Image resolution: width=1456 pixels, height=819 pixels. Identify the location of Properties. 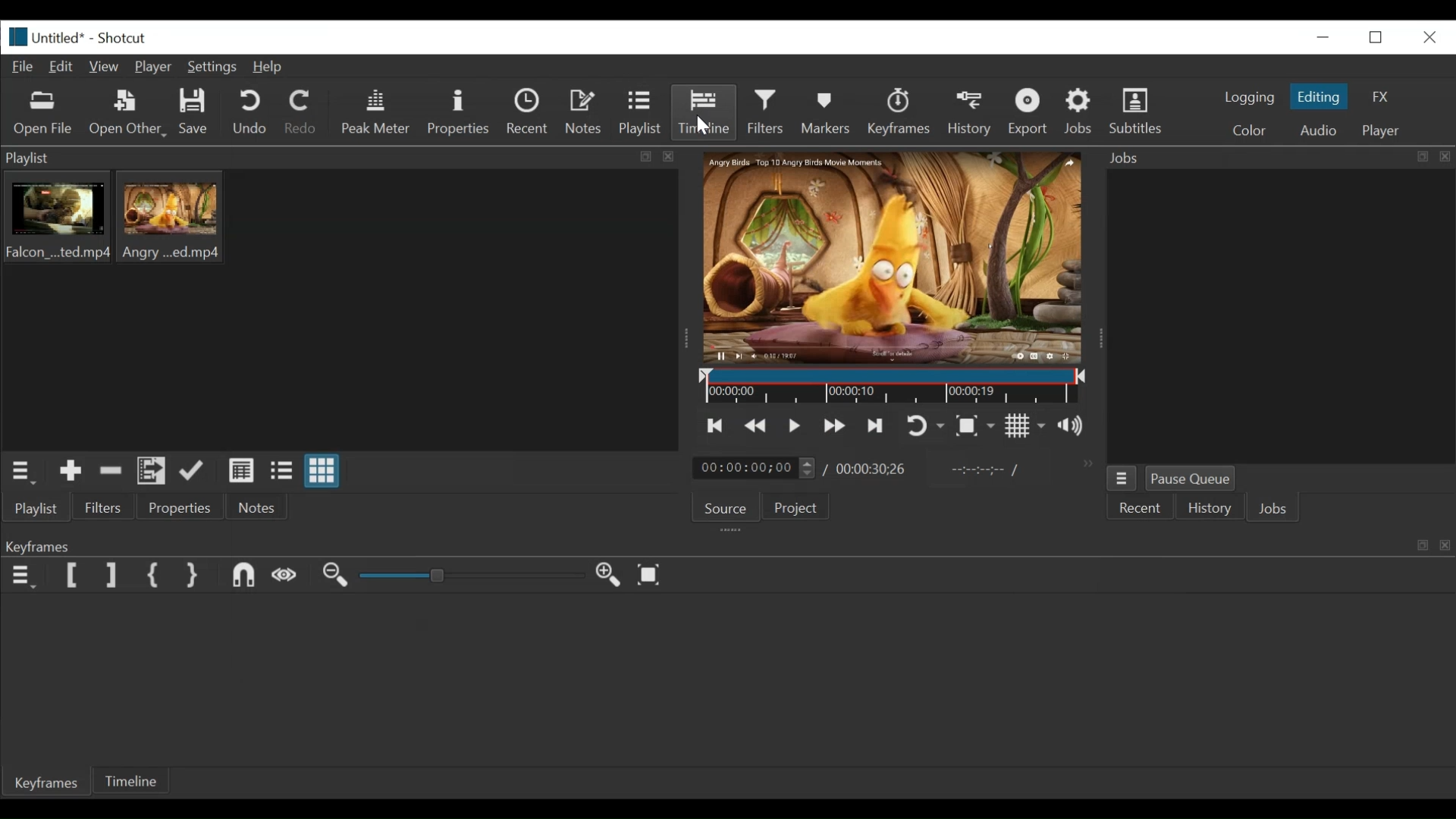
(460, 112).